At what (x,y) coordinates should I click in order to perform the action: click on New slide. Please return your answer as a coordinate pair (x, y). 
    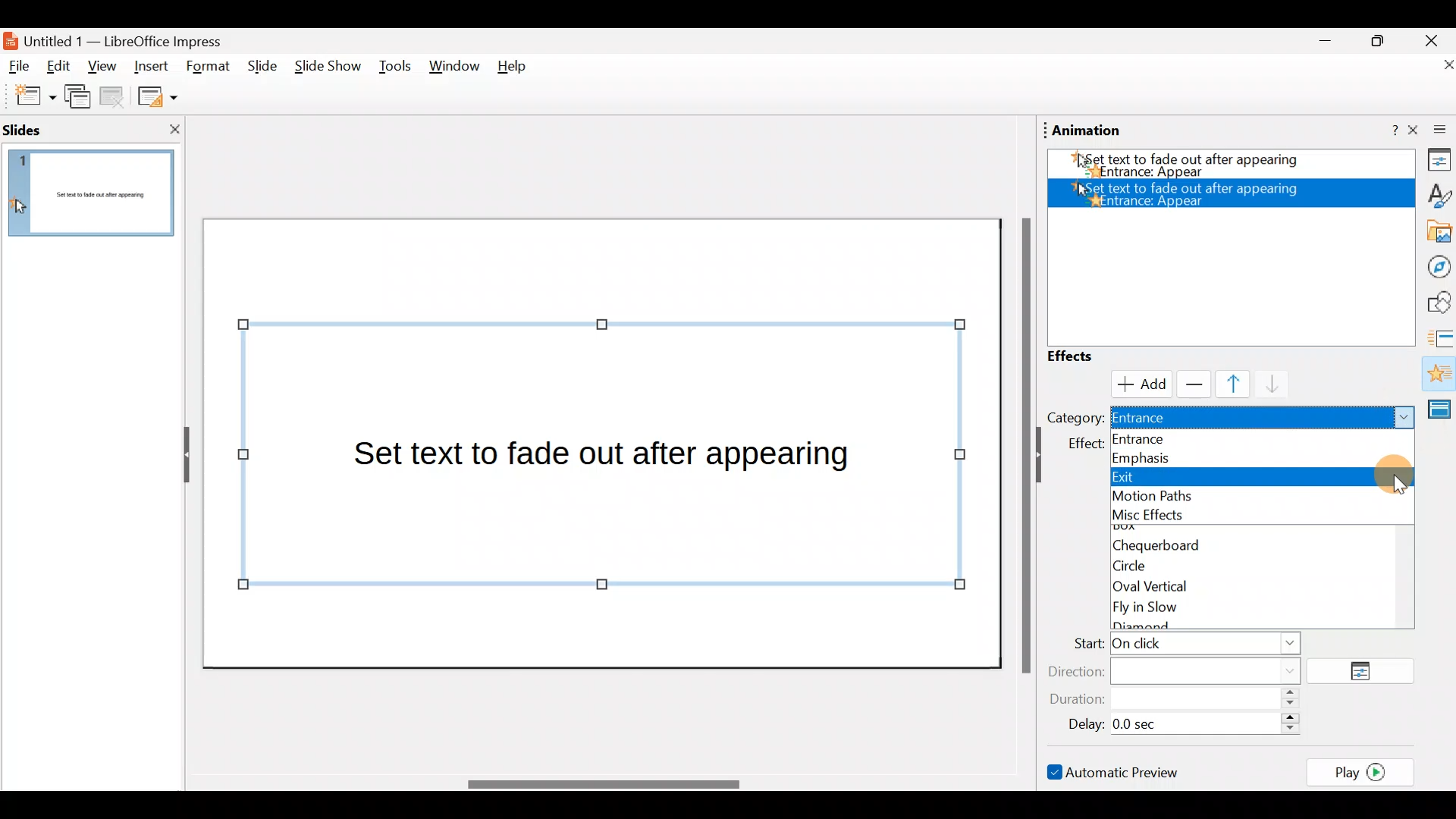
    Looking at the image, I should click on (28, 96).